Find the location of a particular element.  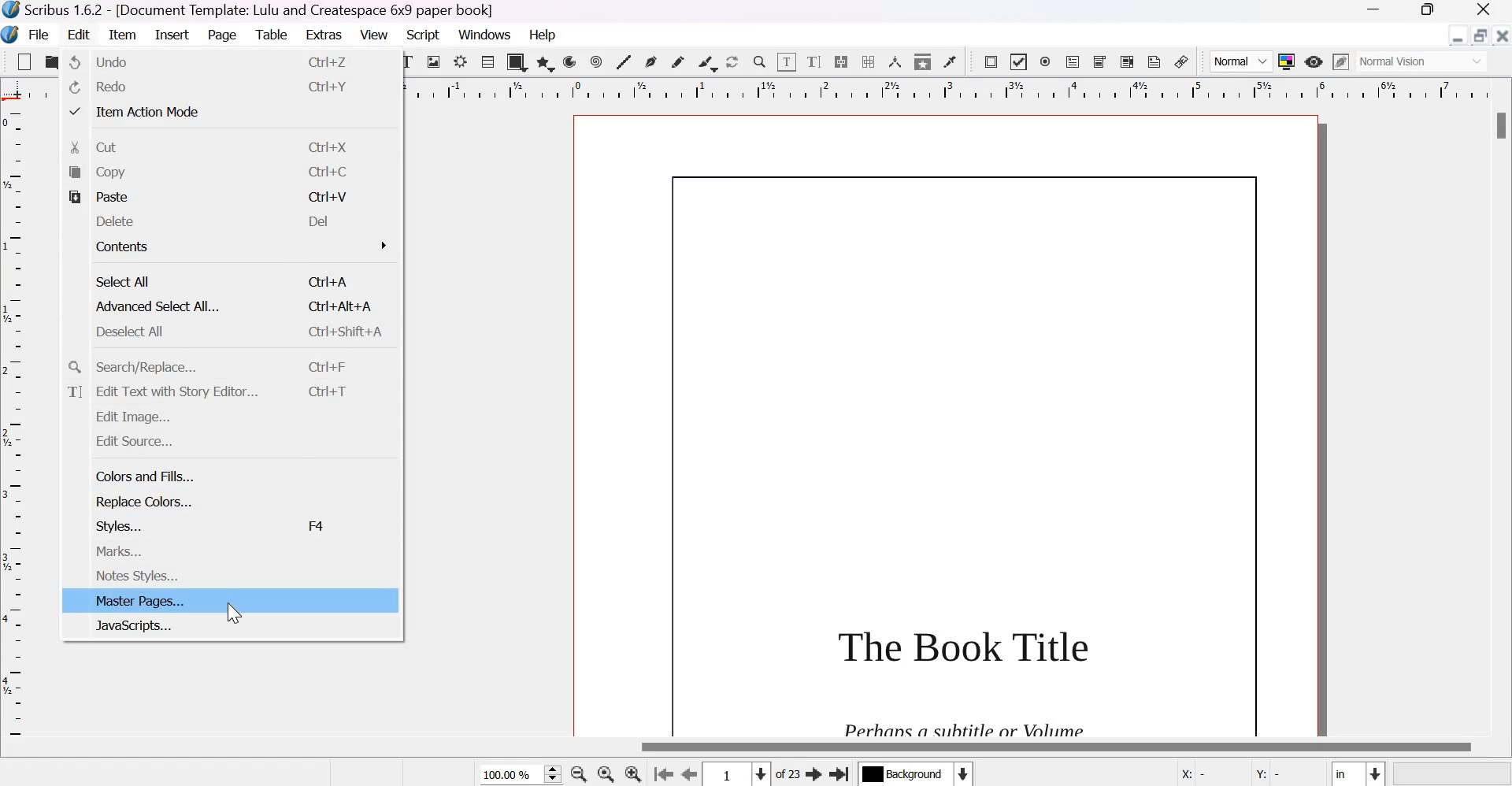

tick is located at coordinates (74, 111).